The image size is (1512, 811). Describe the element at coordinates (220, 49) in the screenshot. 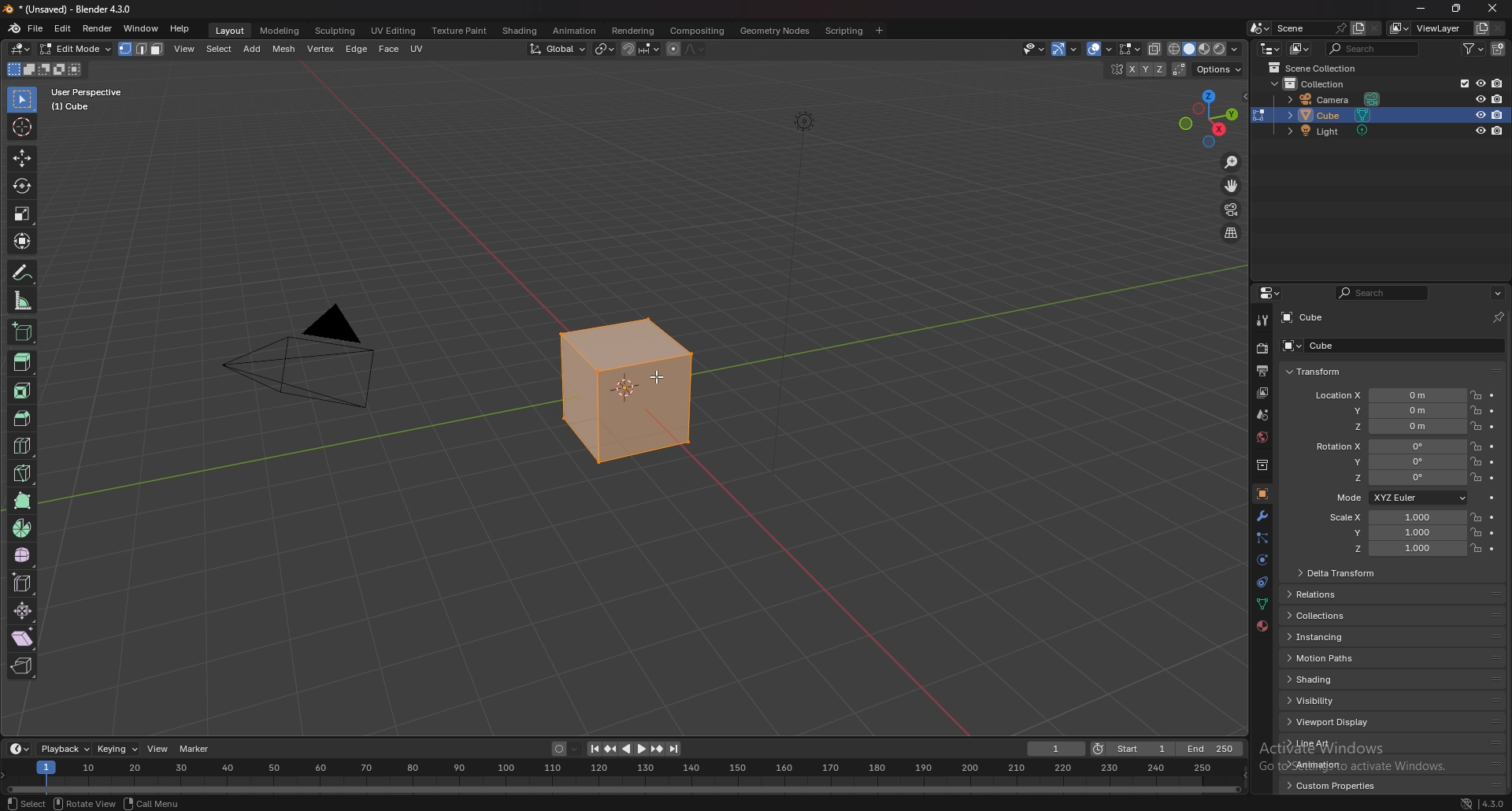

I see `select` at that location.